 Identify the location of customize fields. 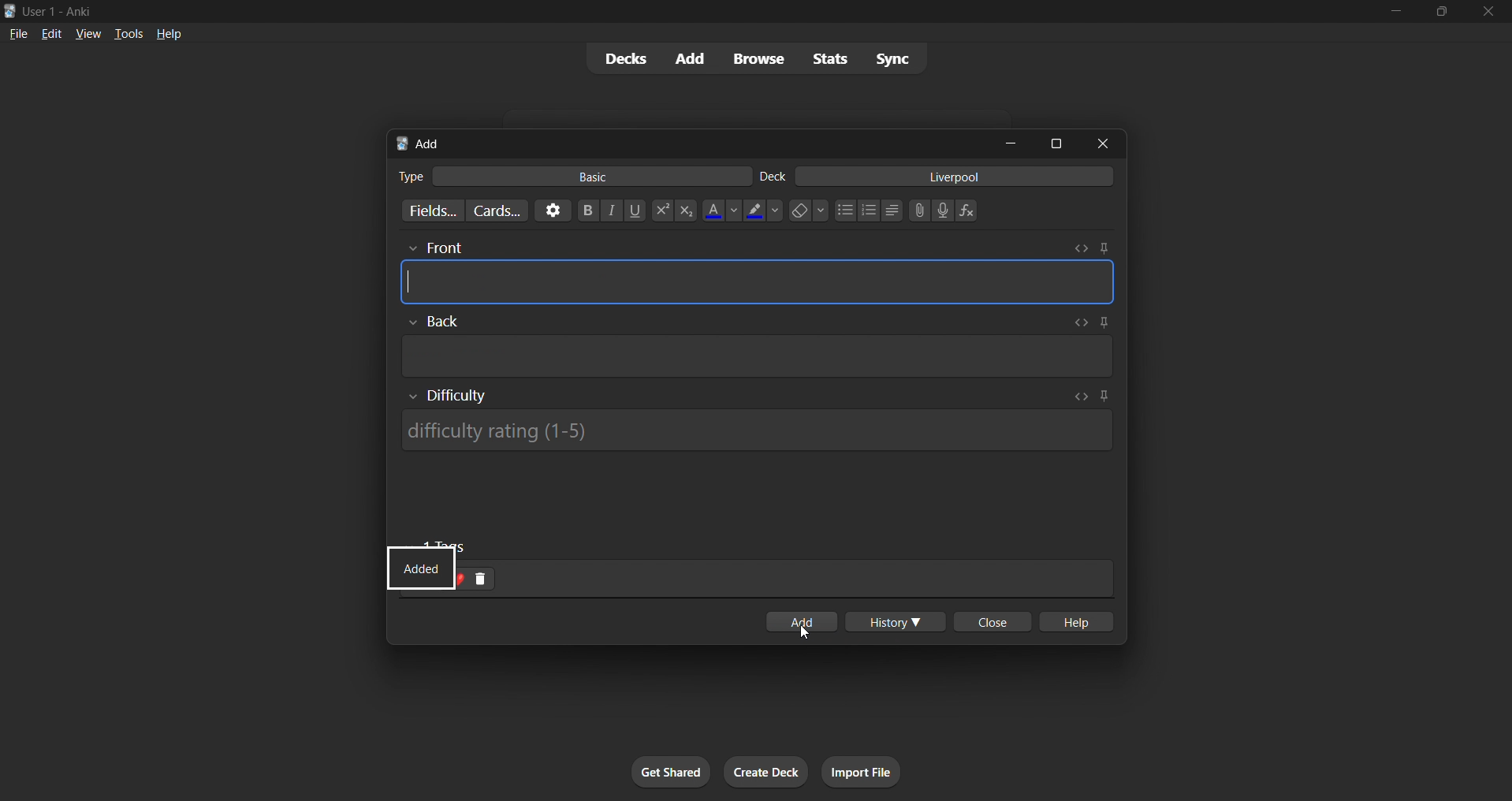
(425, 212).